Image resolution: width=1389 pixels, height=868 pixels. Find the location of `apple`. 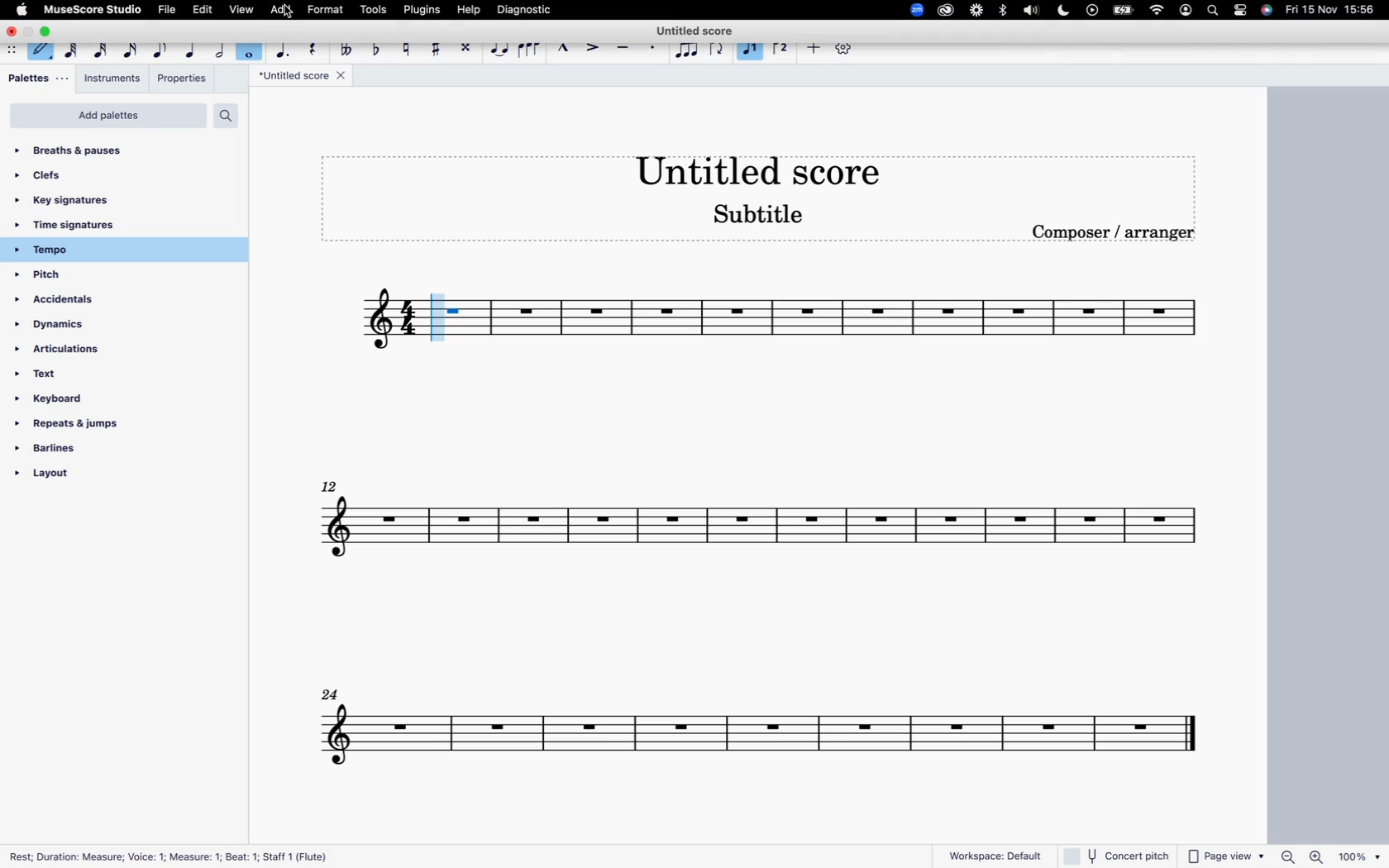

apple is located at coordinates (22, 9).